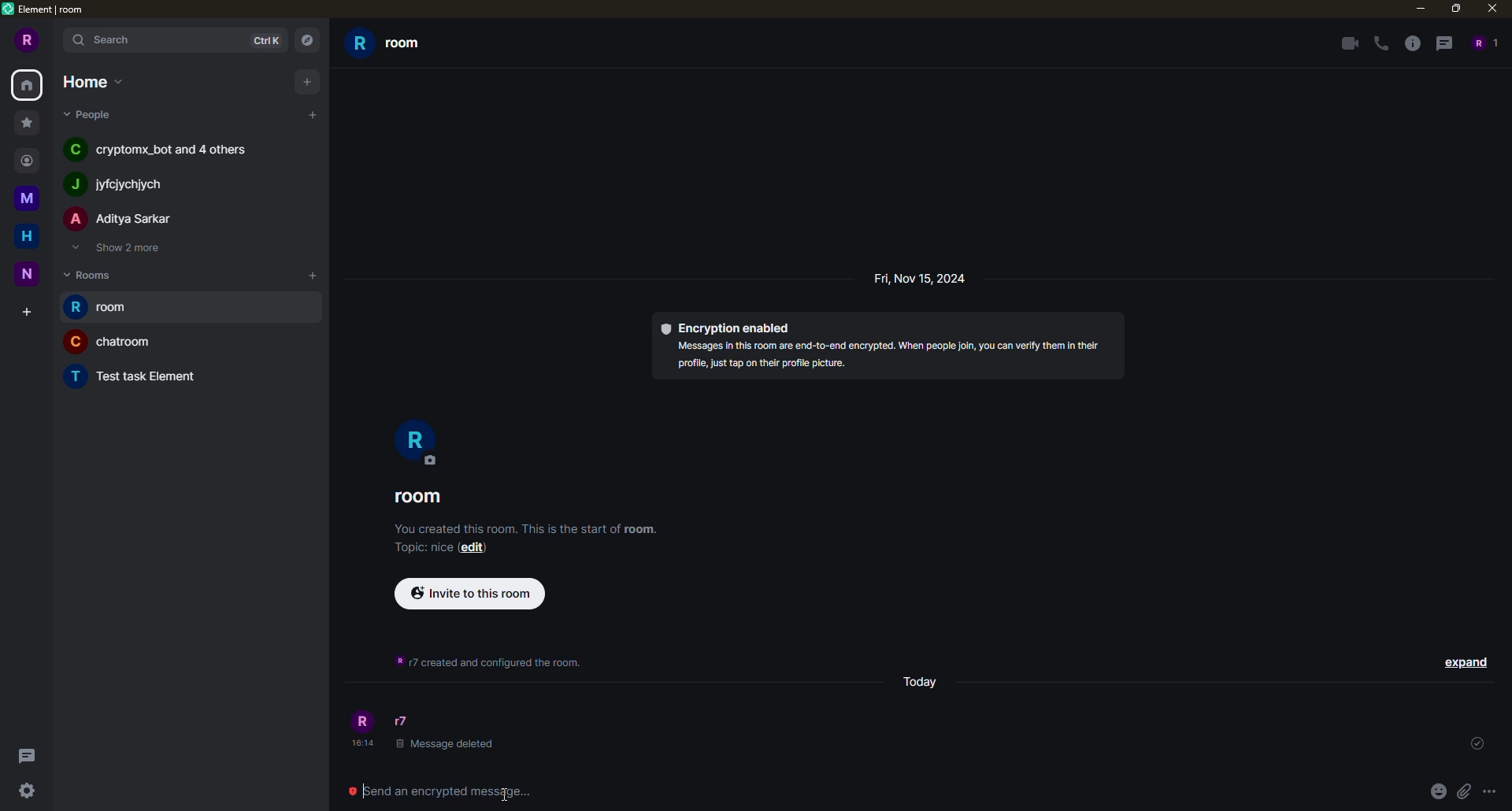  What do you see at coordinates (123, 249) in the screenshot?
I see `show 2 more` at bounding box center [123, 249].